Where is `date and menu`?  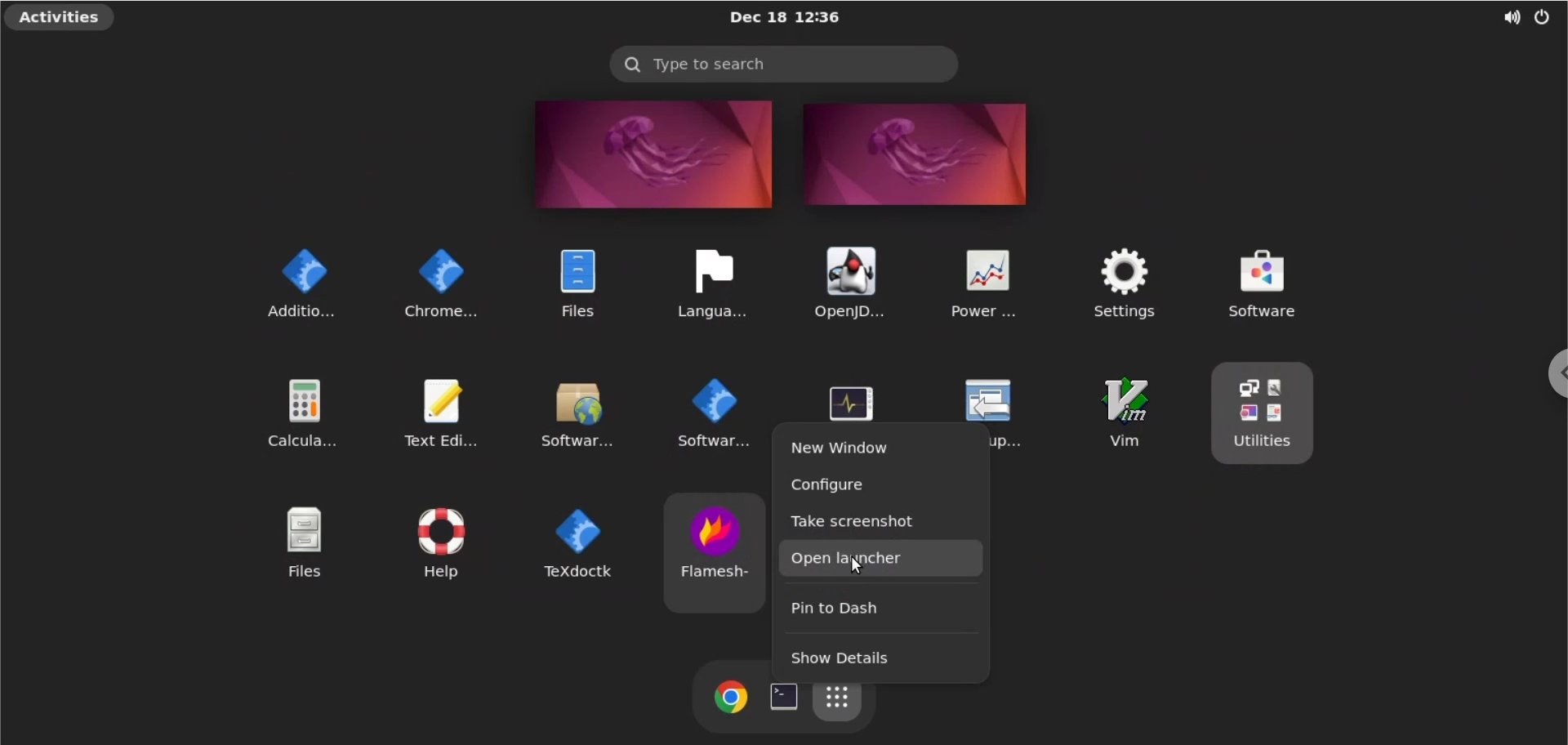
date and menu is located at coordinates (783, 18).